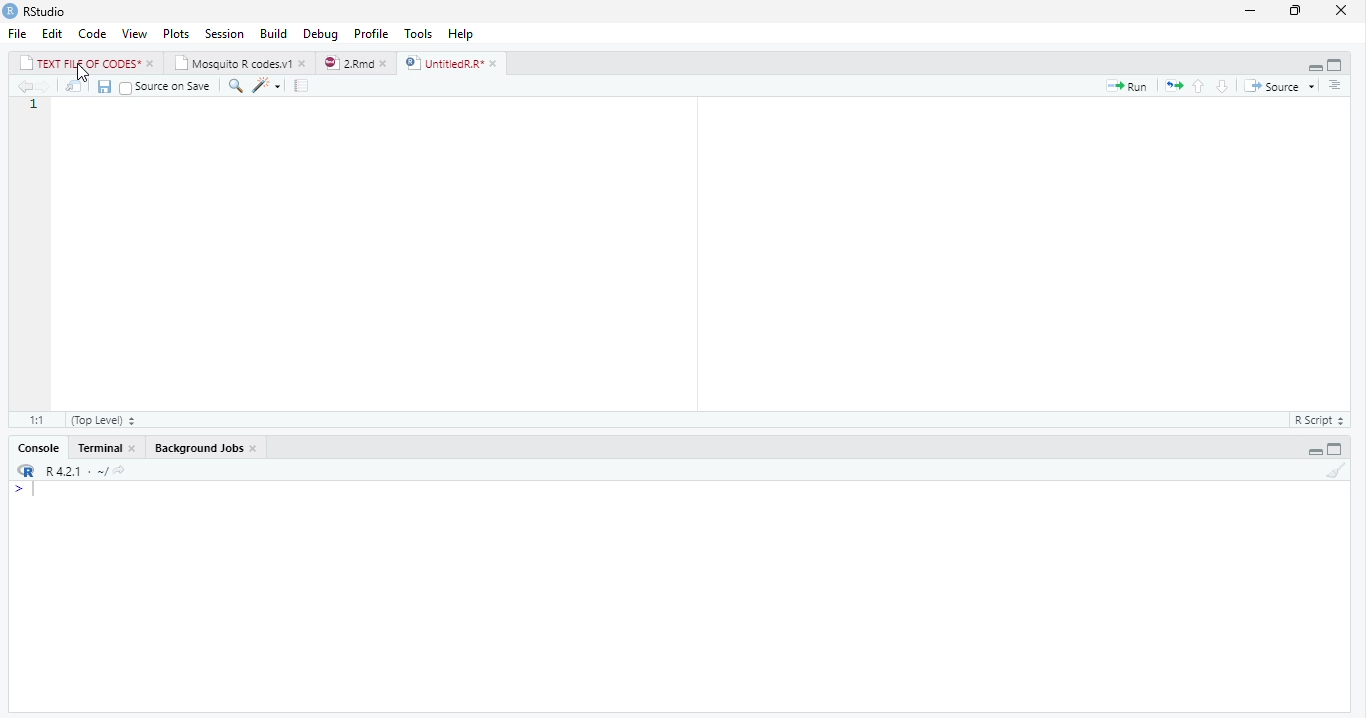  What do you see at coordinates (84, 73) in the screenshot?
I see `cursor` at bounding box center [84, 73].